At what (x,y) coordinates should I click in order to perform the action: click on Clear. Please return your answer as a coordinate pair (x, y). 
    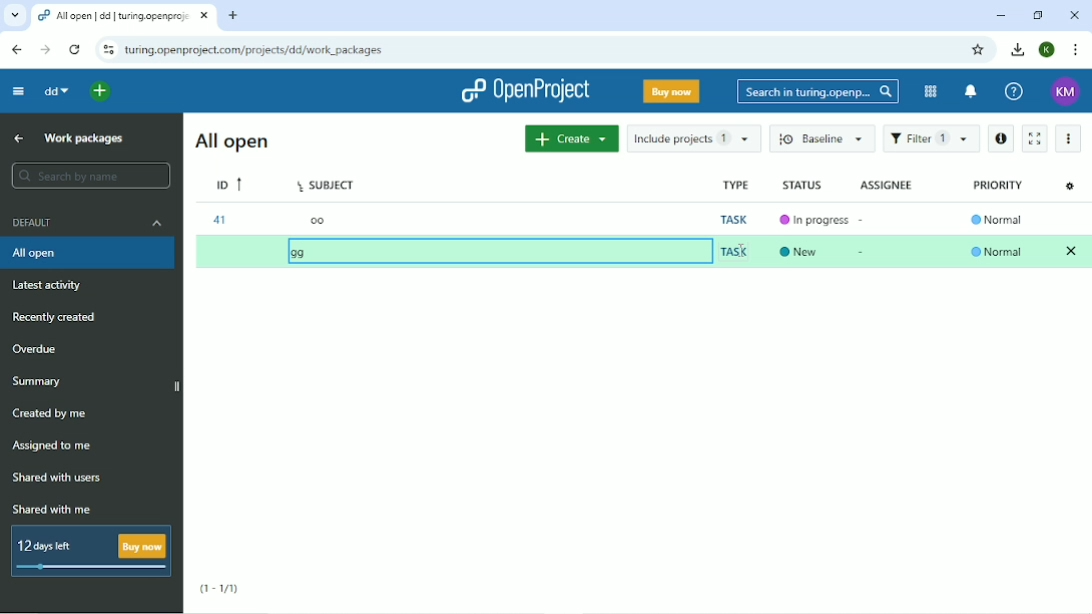
    Looking at the image, I should click on (1072, 250).